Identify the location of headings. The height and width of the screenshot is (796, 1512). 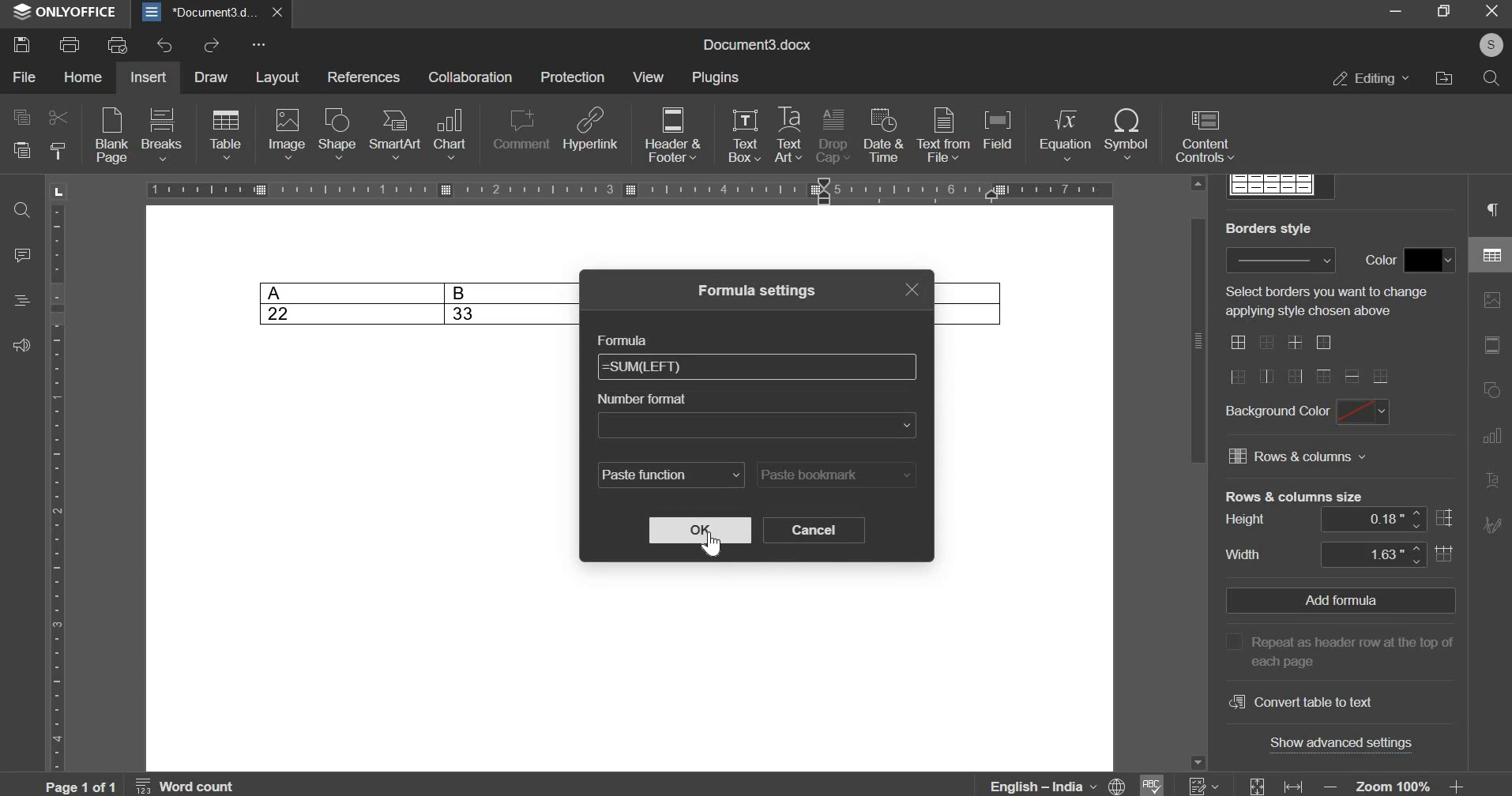
(24, 301).